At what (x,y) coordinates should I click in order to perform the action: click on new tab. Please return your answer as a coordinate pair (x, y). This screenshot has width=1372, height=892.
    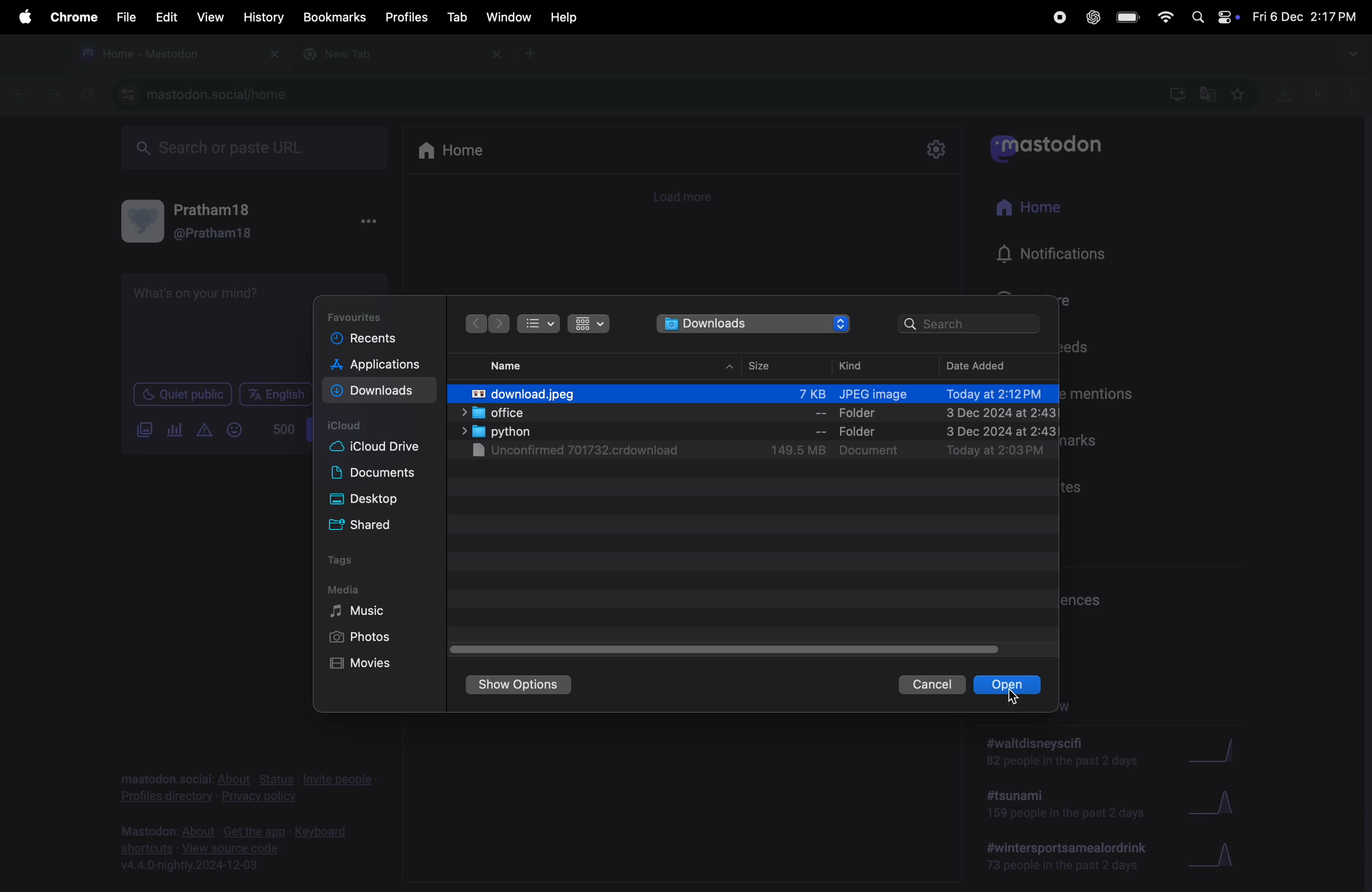
    Looking at the image, I should click on (397, 55).